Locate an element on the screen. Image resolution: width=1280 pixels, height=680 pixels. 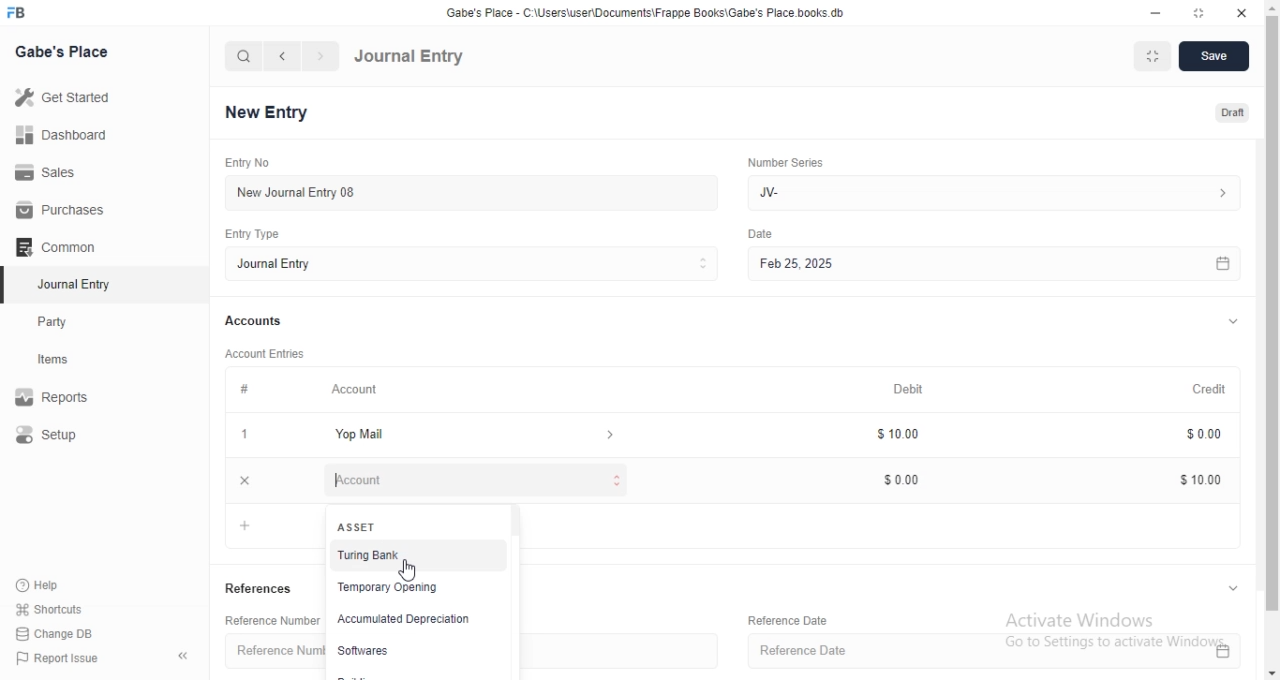
Save is located at coordinates (1215, 57).